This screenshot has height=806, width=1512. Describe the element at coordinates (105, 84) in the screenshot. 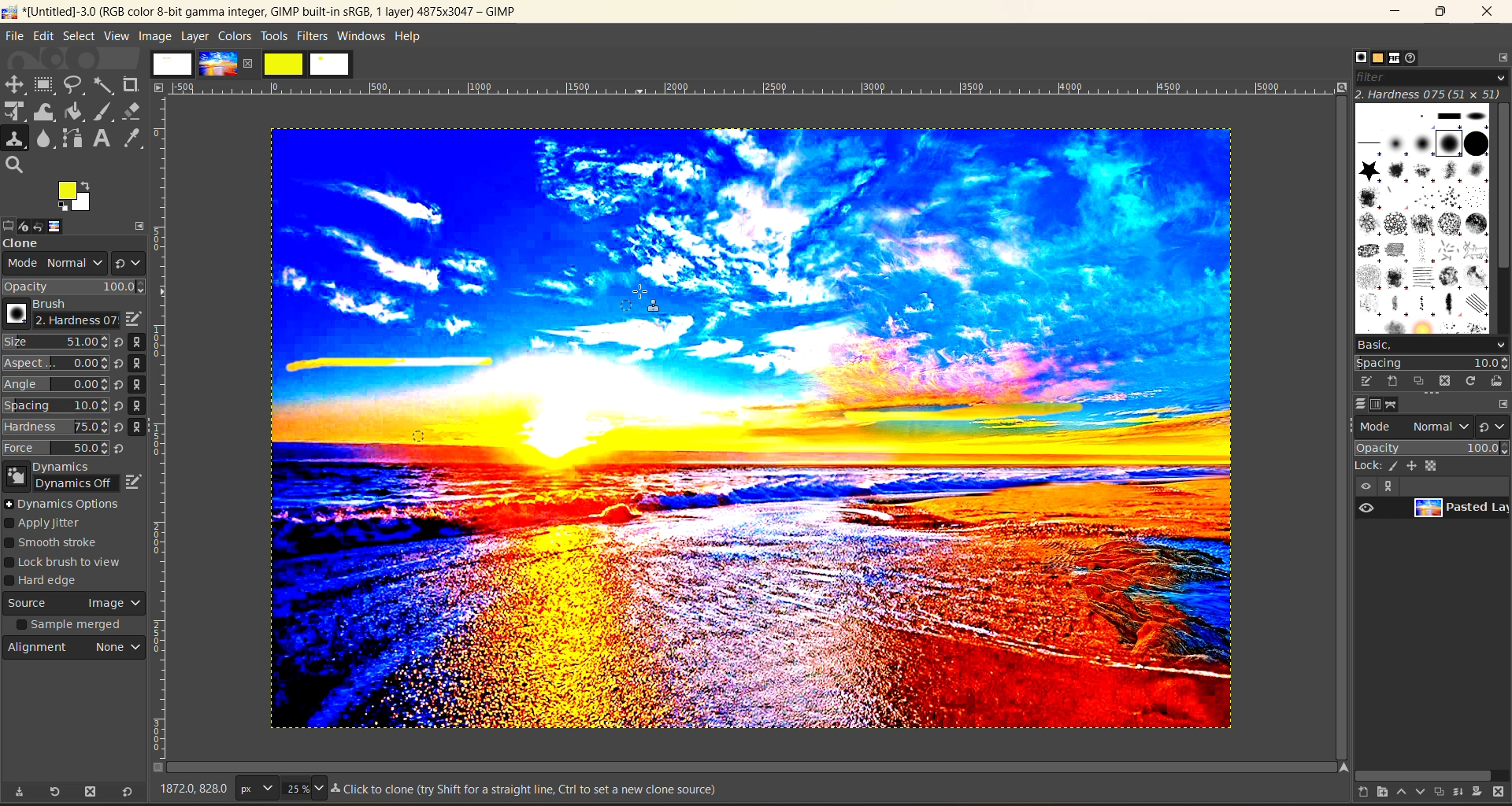

I see `fuzzy text` at that location.